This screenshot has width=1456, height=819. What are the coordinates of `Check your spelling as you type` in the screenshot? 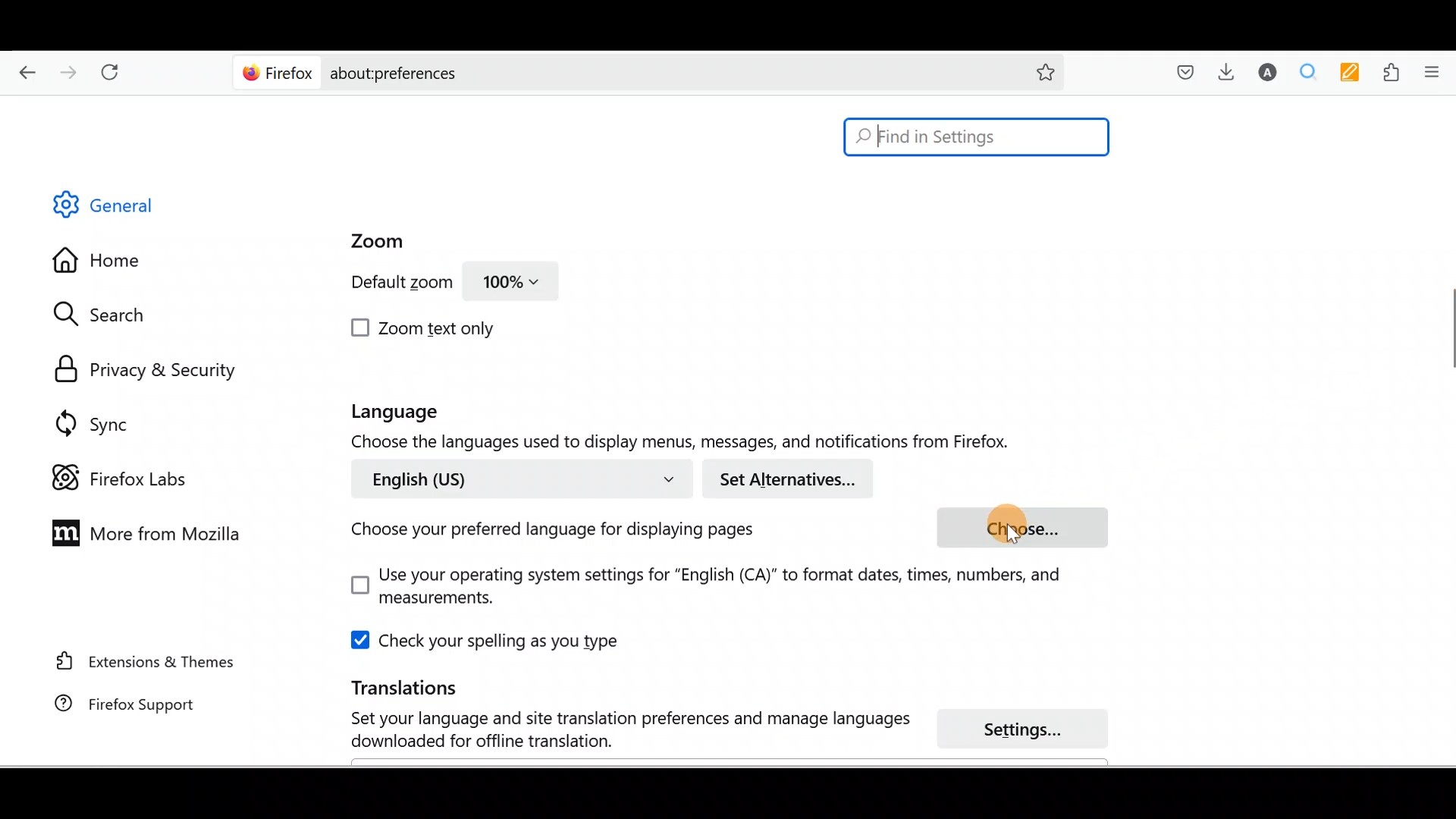 It's located at (489, 640).